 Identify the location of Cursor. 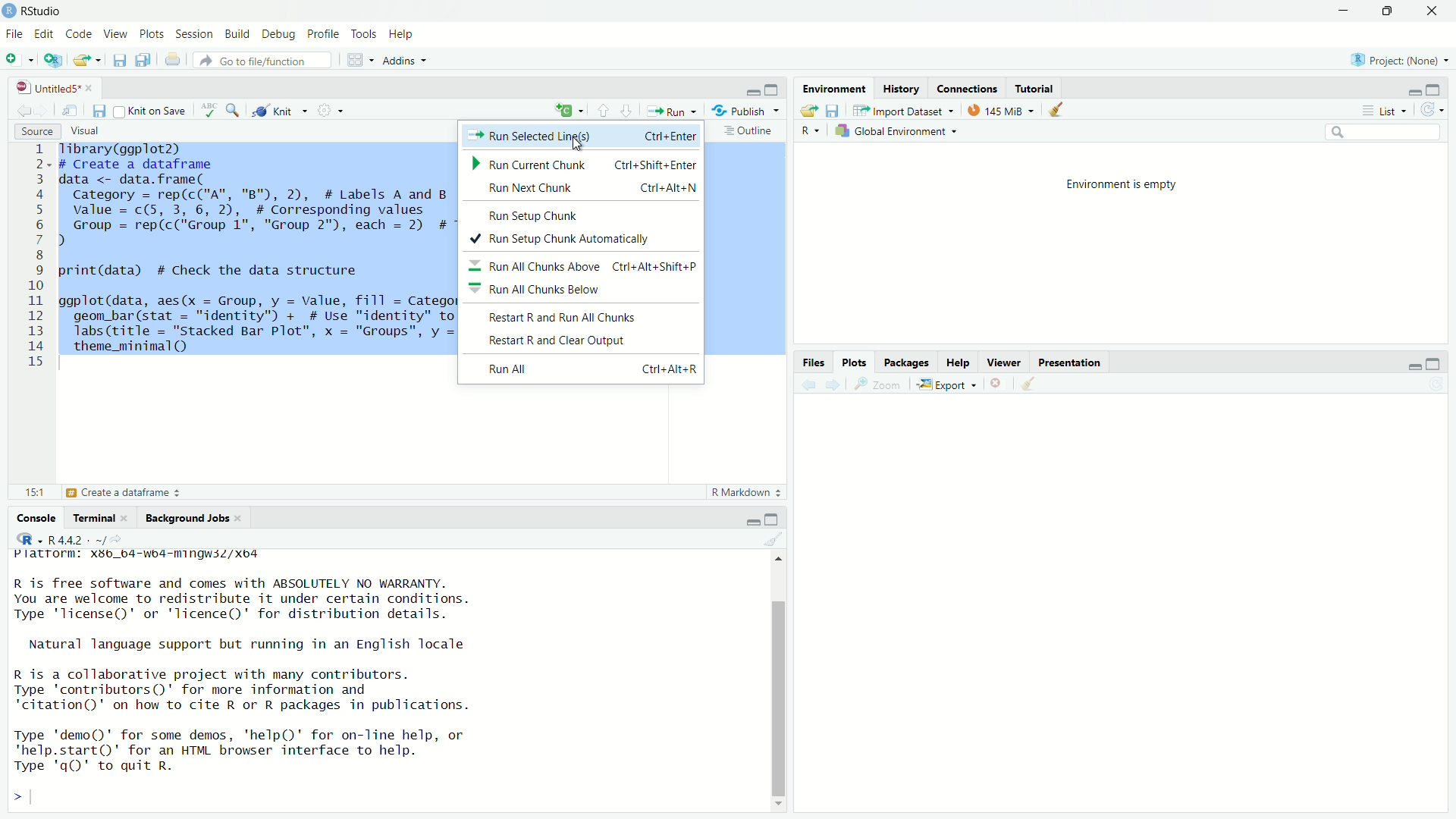
(576, 145).